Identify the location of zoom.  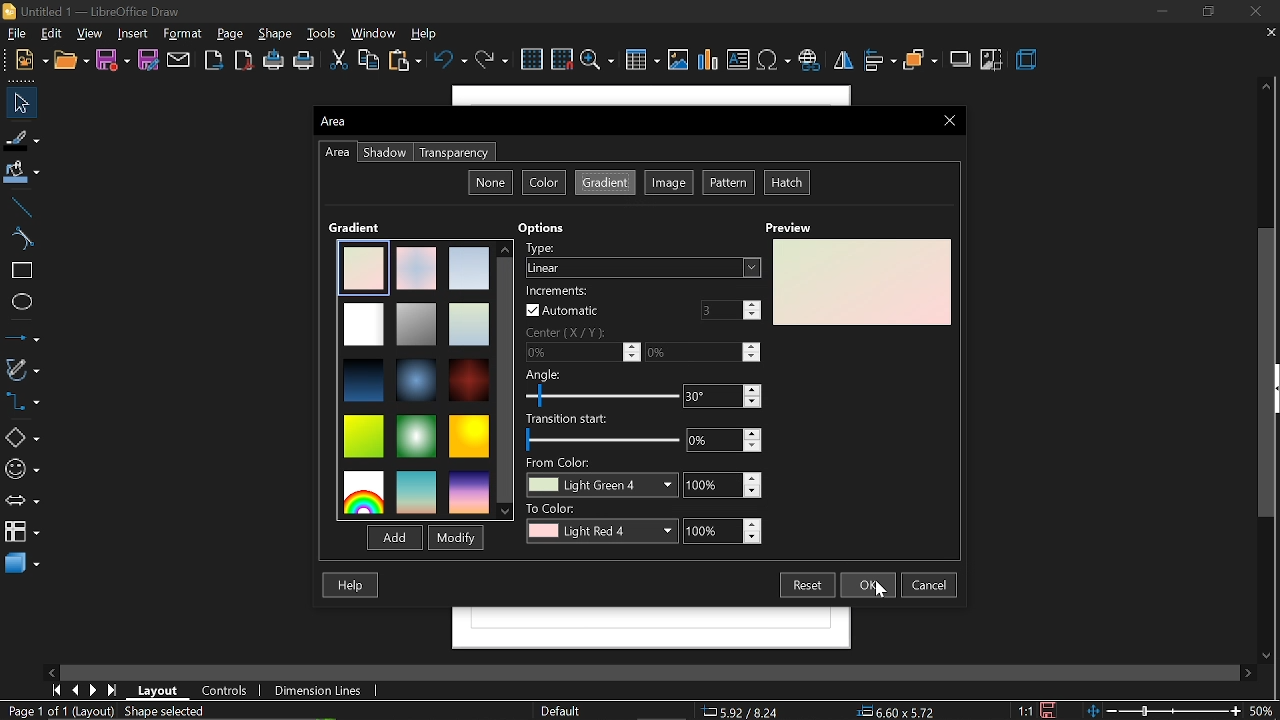
(598, 61).